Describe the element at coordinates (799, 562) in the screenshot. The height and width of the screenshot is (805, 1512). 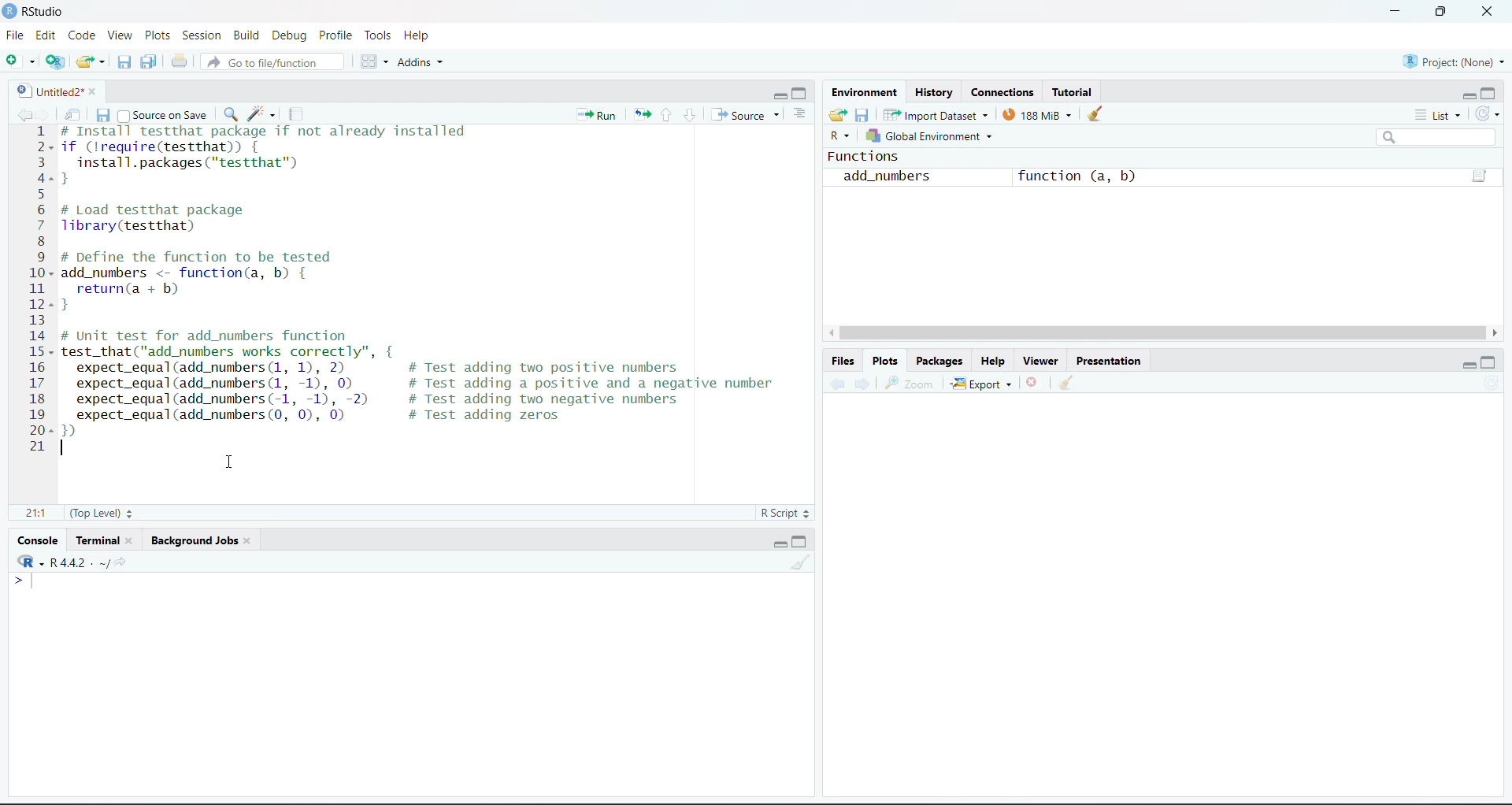
I see `clear console` at that location.